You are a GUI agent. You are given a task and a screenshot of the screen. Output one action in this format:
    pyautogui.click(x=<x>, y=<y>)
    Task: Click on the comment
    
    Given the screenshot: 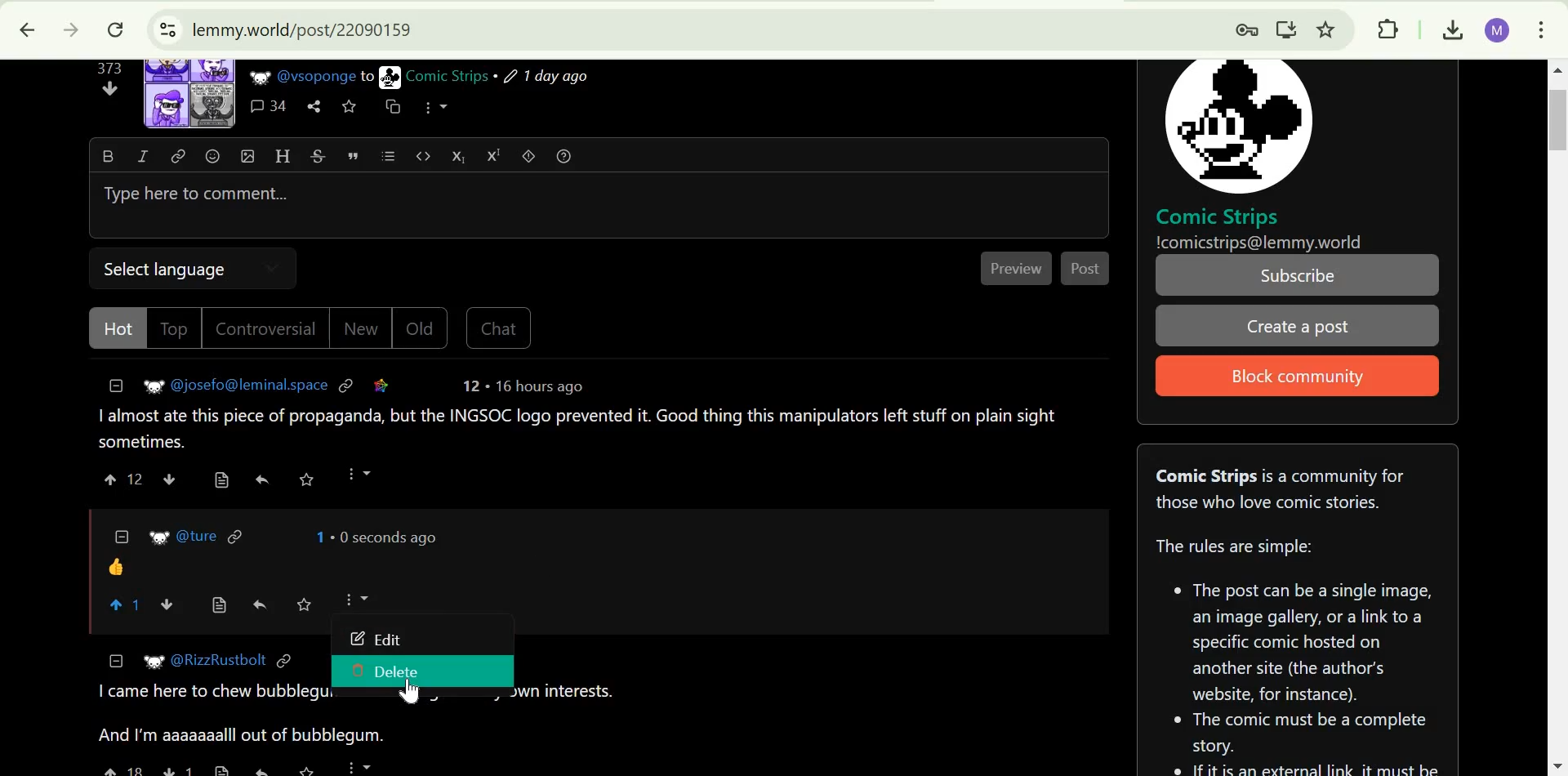 What is the action you would take?
    pyautogui.click(x=361, y=718)
    